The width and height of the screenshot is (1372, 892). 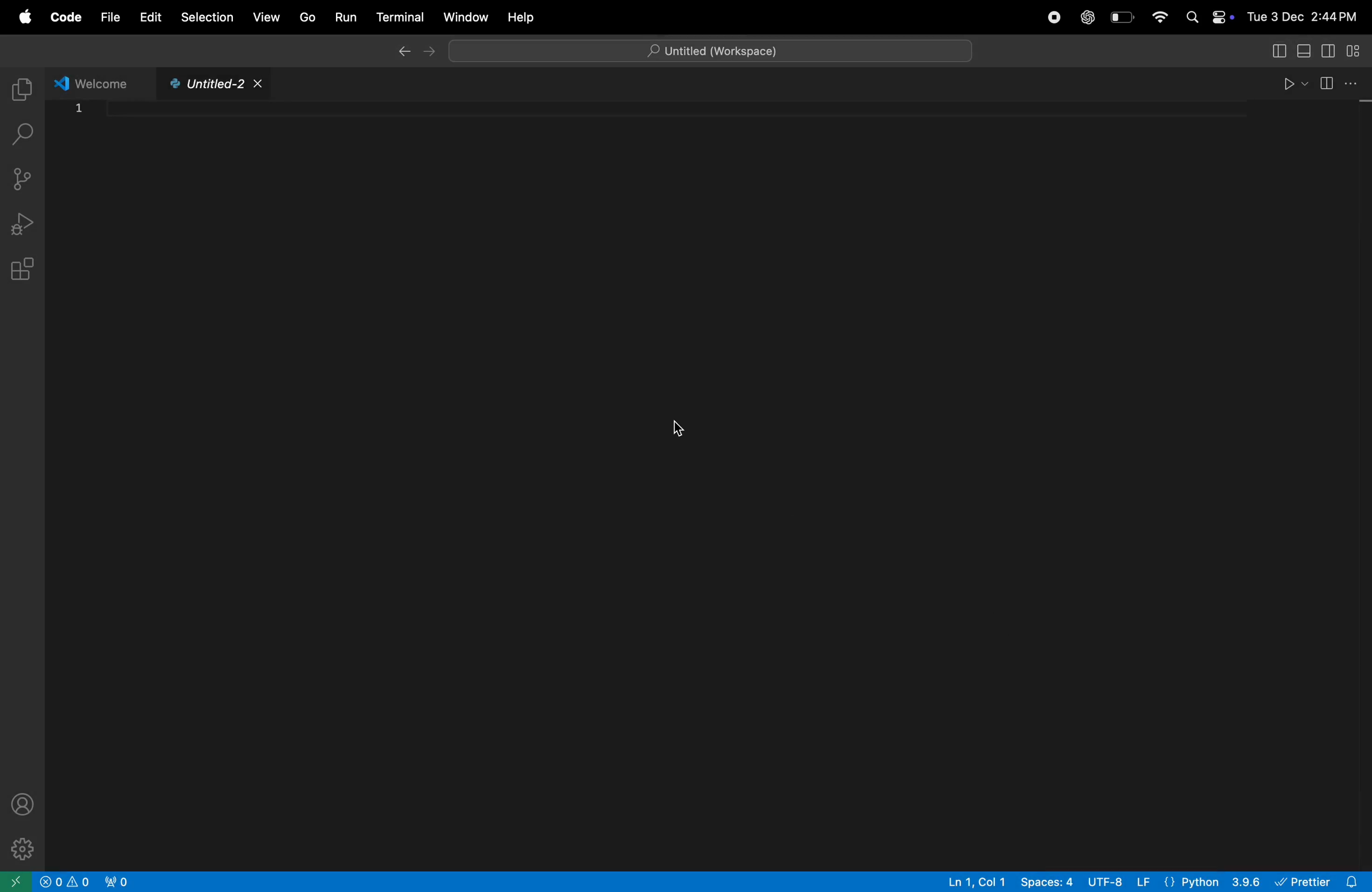 What do you see at coordinates (520, 17) in the screenshot?
I see `help` at bounding box center [520, 17].